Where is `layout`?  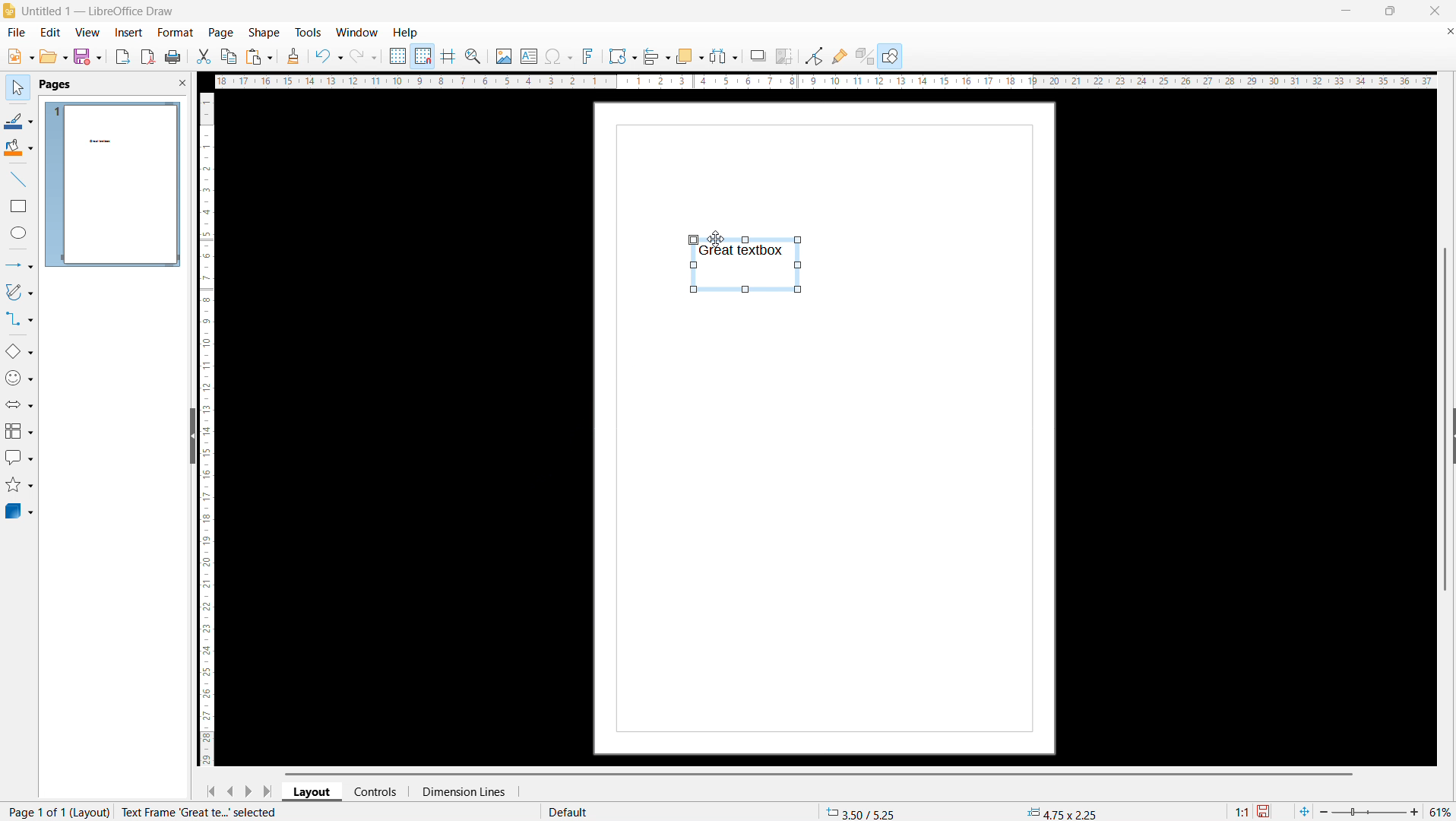 layout is located at coordinates (313, 791).